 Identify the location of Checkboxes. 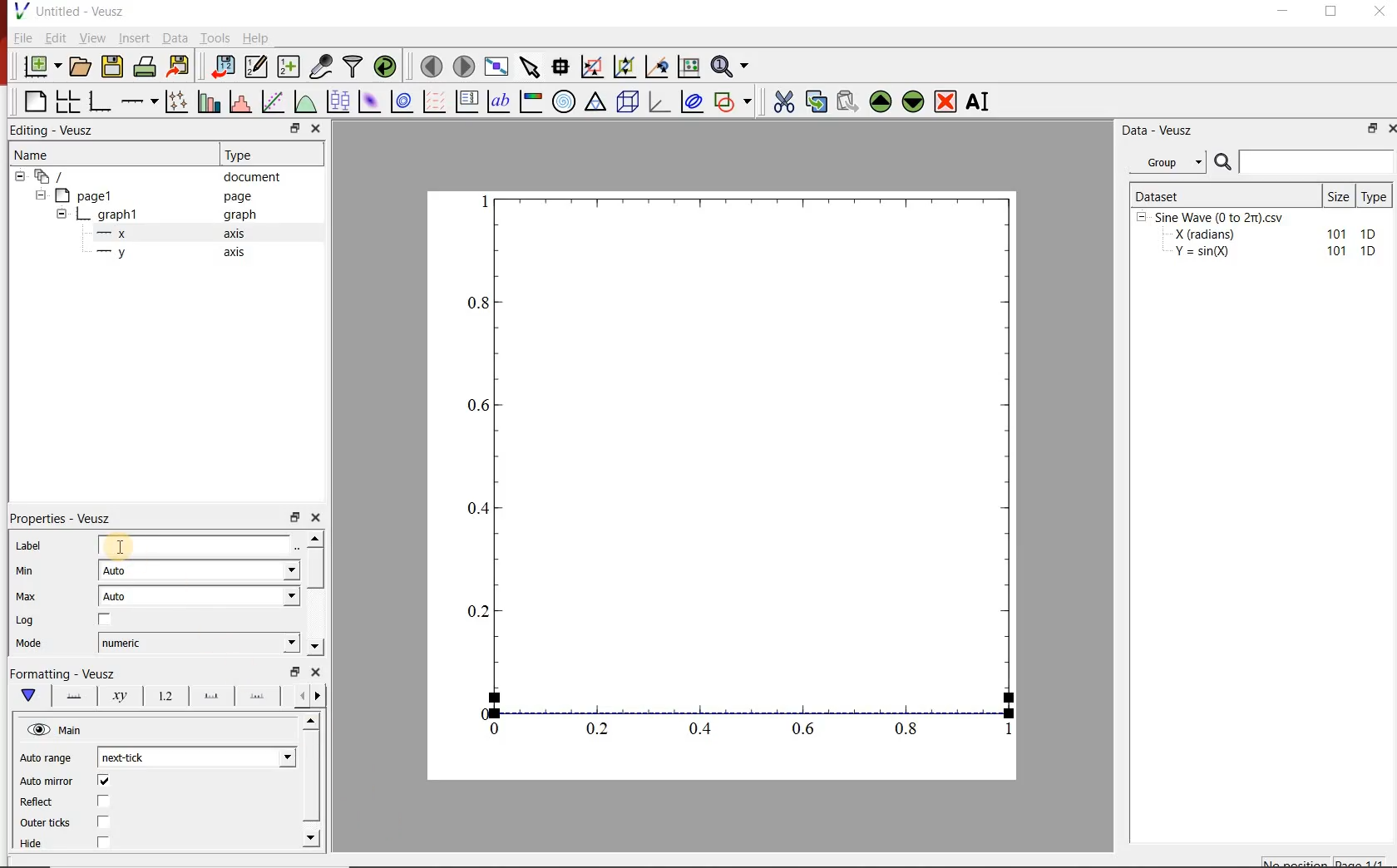
(105, 812).